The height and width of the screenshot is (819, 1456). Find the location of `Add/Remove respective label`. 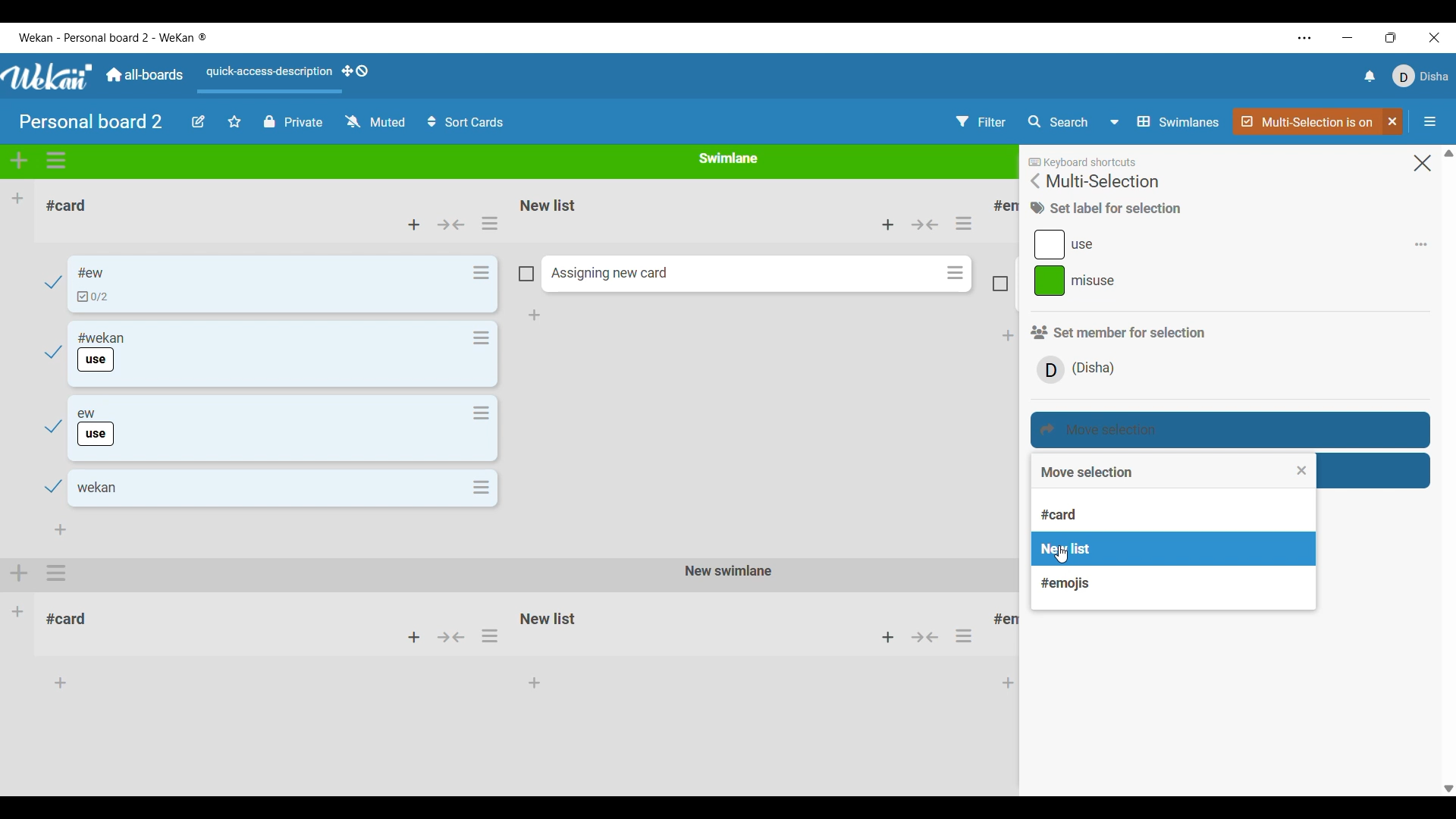

Add/Remove respective label is located at coordinates (1422, 244).